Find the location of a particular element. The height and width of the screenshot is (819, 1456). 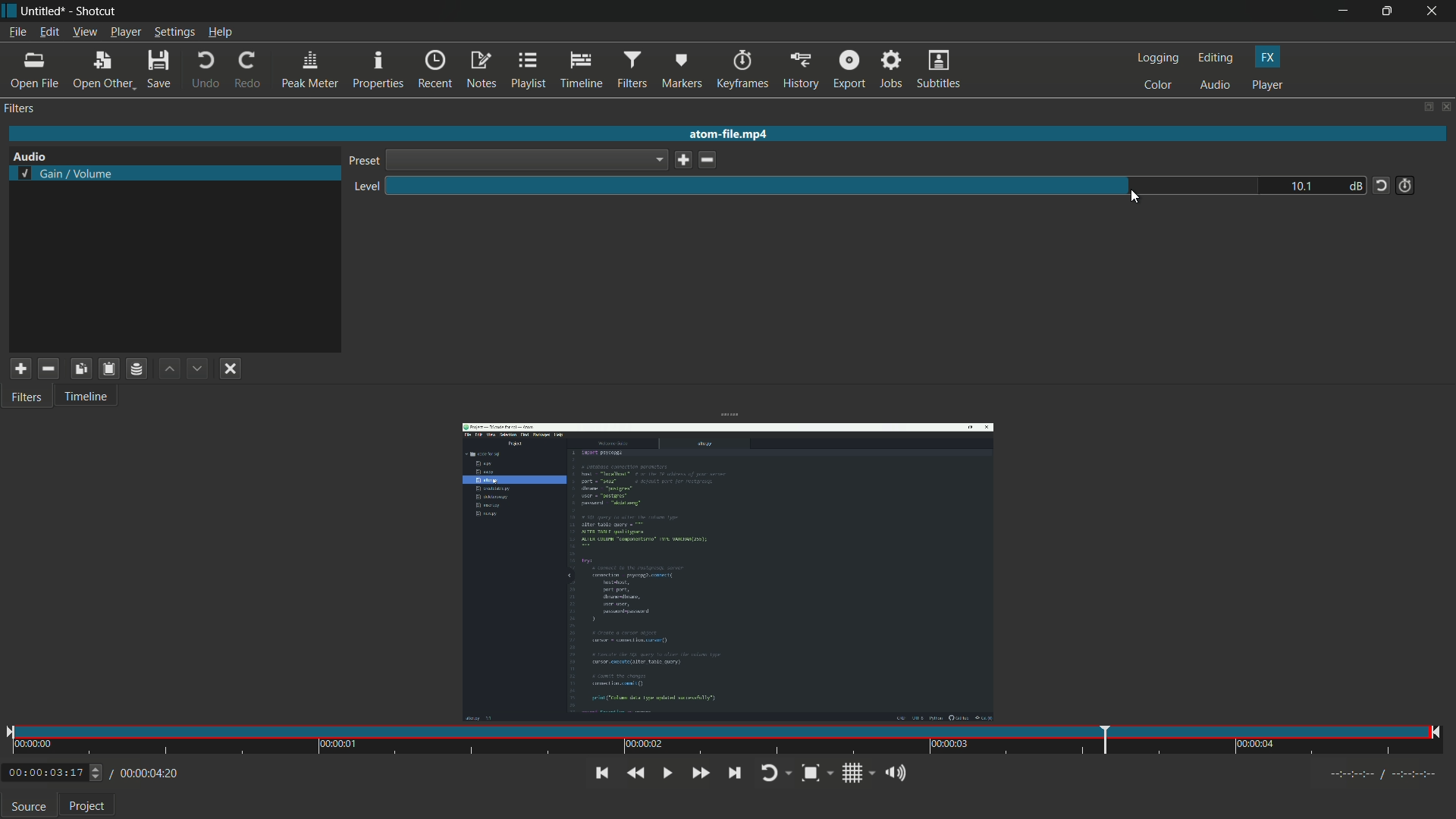

filter is located at coordinates (20, 108).